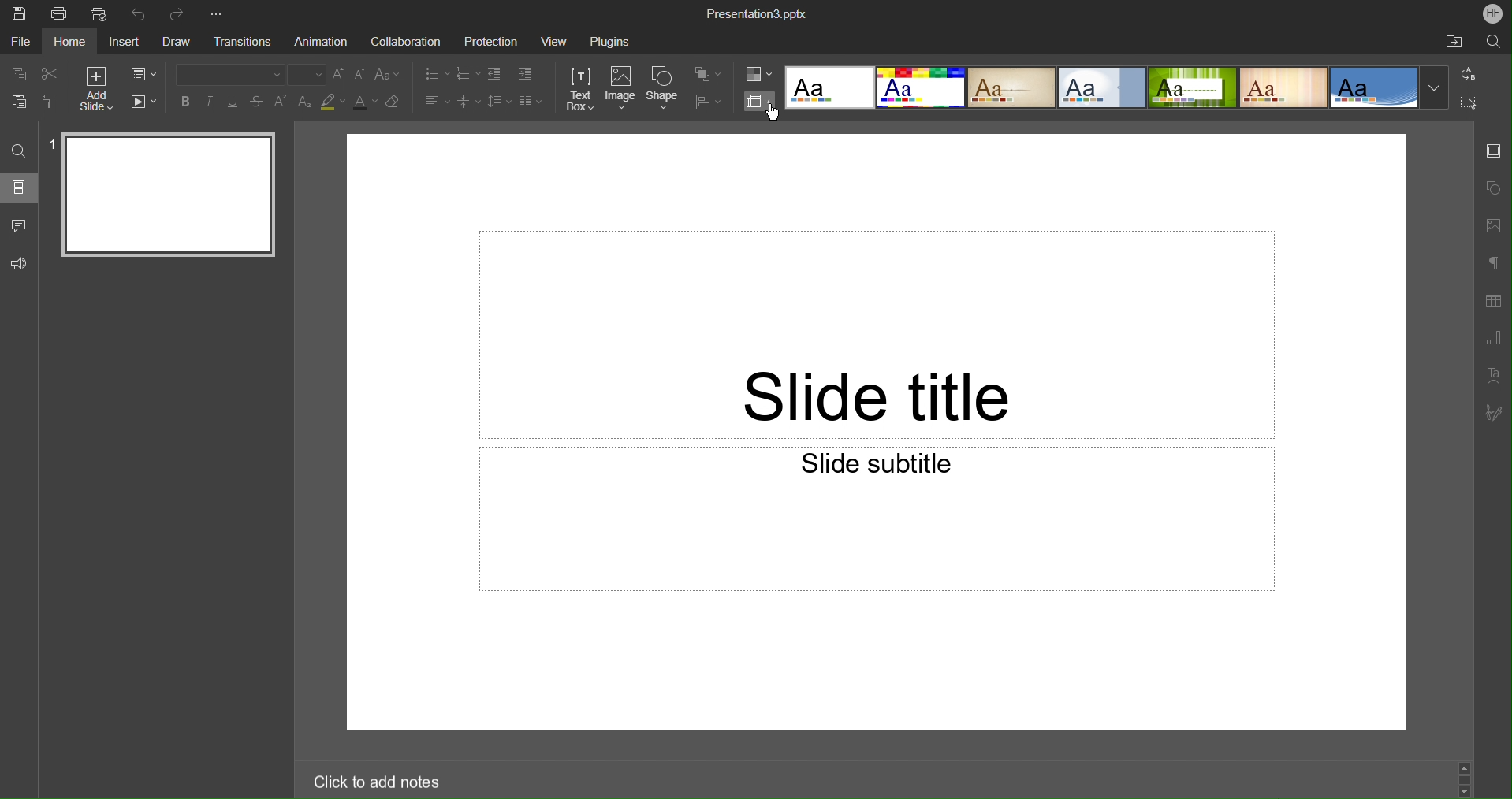 This screenshot has height=799, width=1512. Describe the element at coordinates (530, 102) in the screenshot. I see `Column` at that location.